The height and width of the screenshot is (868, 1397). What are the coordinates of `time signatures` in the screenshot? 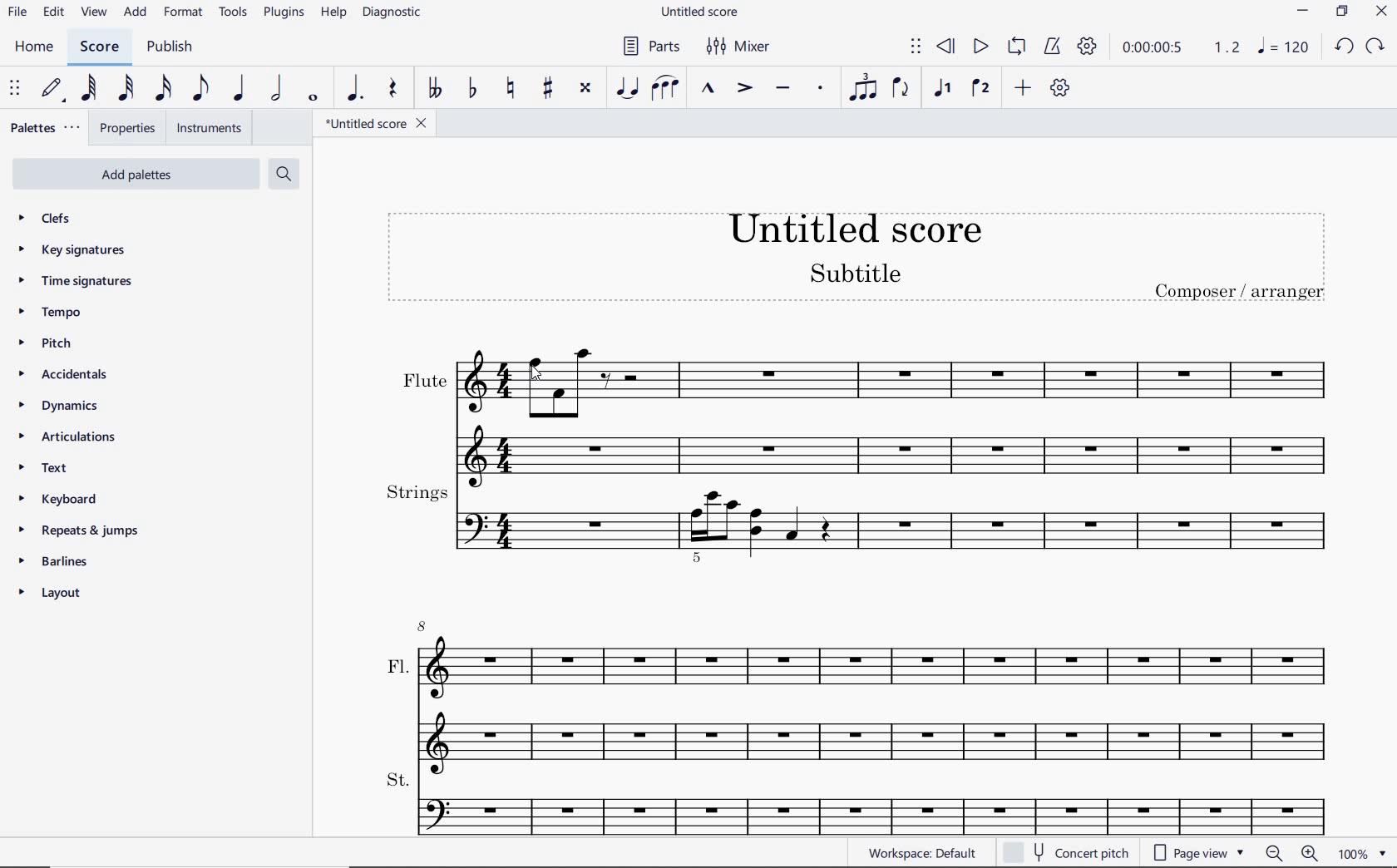 It's located at (74, 279).